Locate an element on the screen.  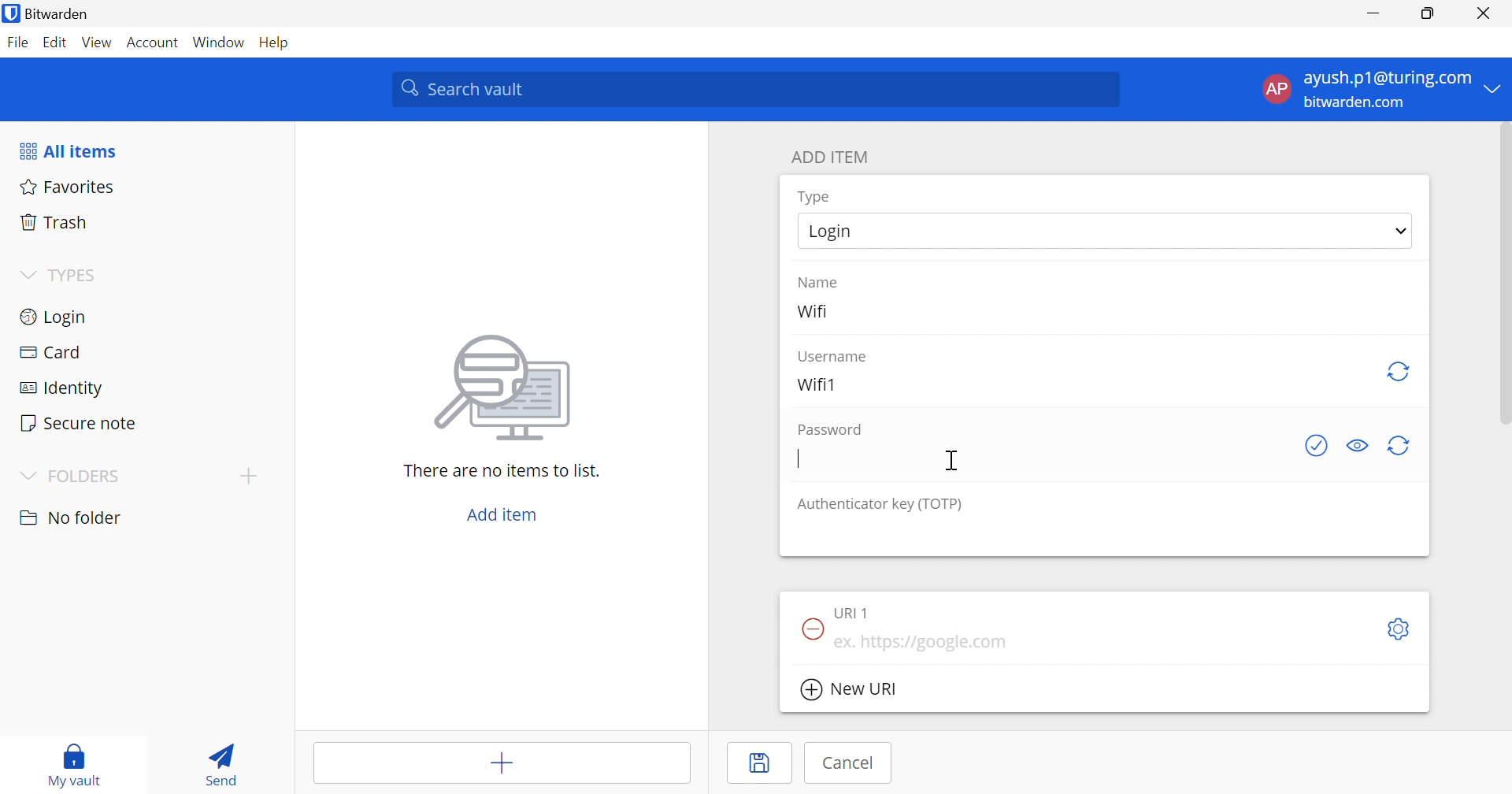
Typing Cursor is located at coordinates (795, 458).